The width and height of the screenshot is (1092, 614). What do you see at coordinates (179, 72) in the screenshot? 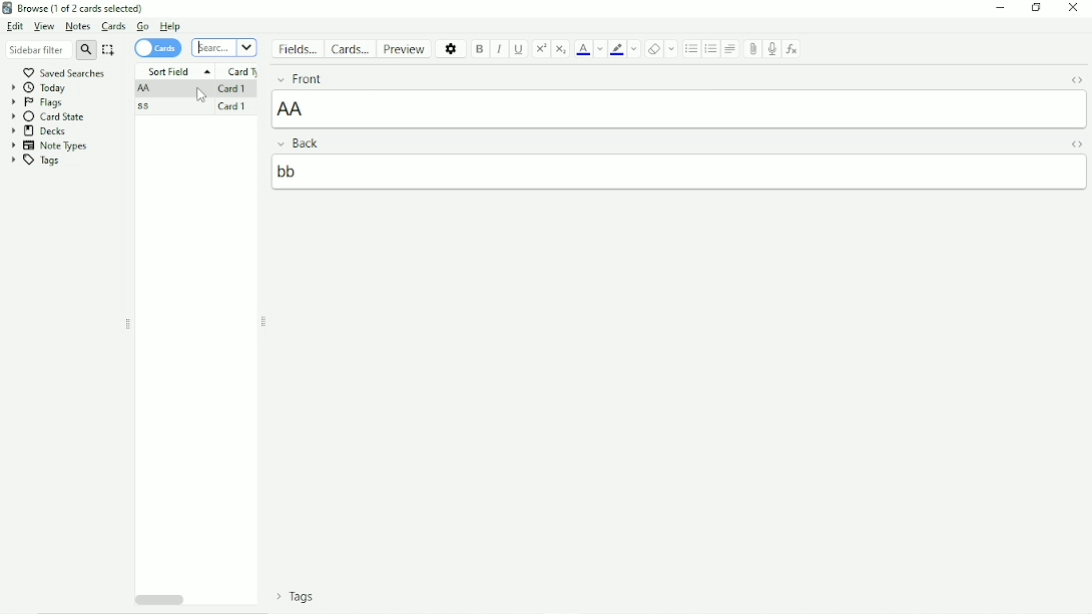
I see `Sort Field` at bounding box center [179, 72].